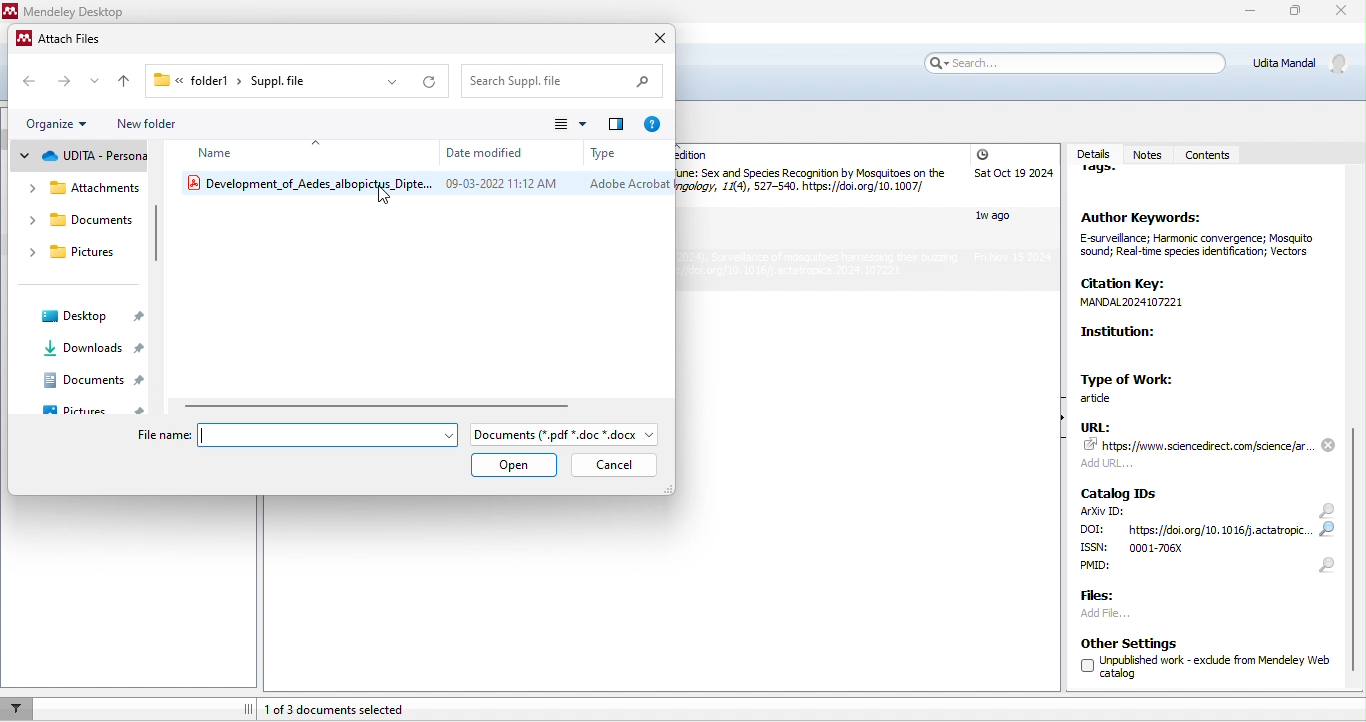  I want to click on drop down, so click(318, 141).